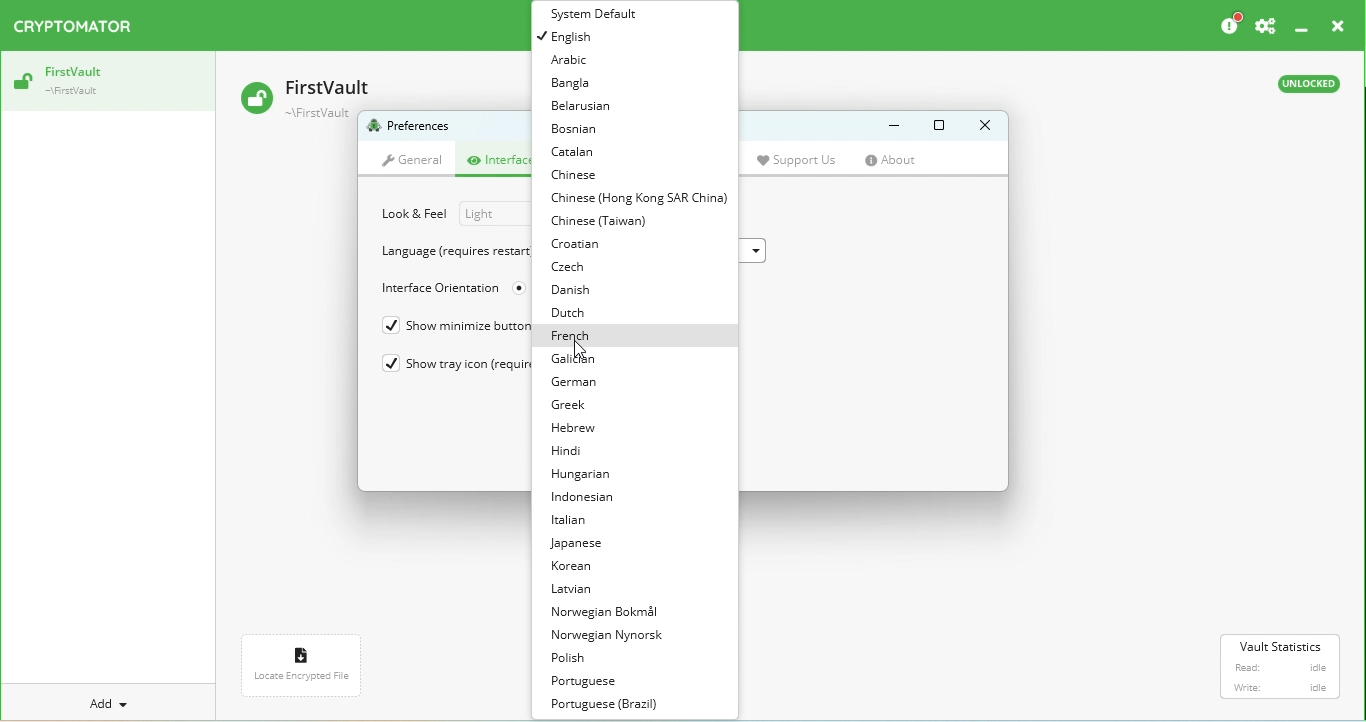  I want to click on Norwegian Bokmal, so click(609, 612).